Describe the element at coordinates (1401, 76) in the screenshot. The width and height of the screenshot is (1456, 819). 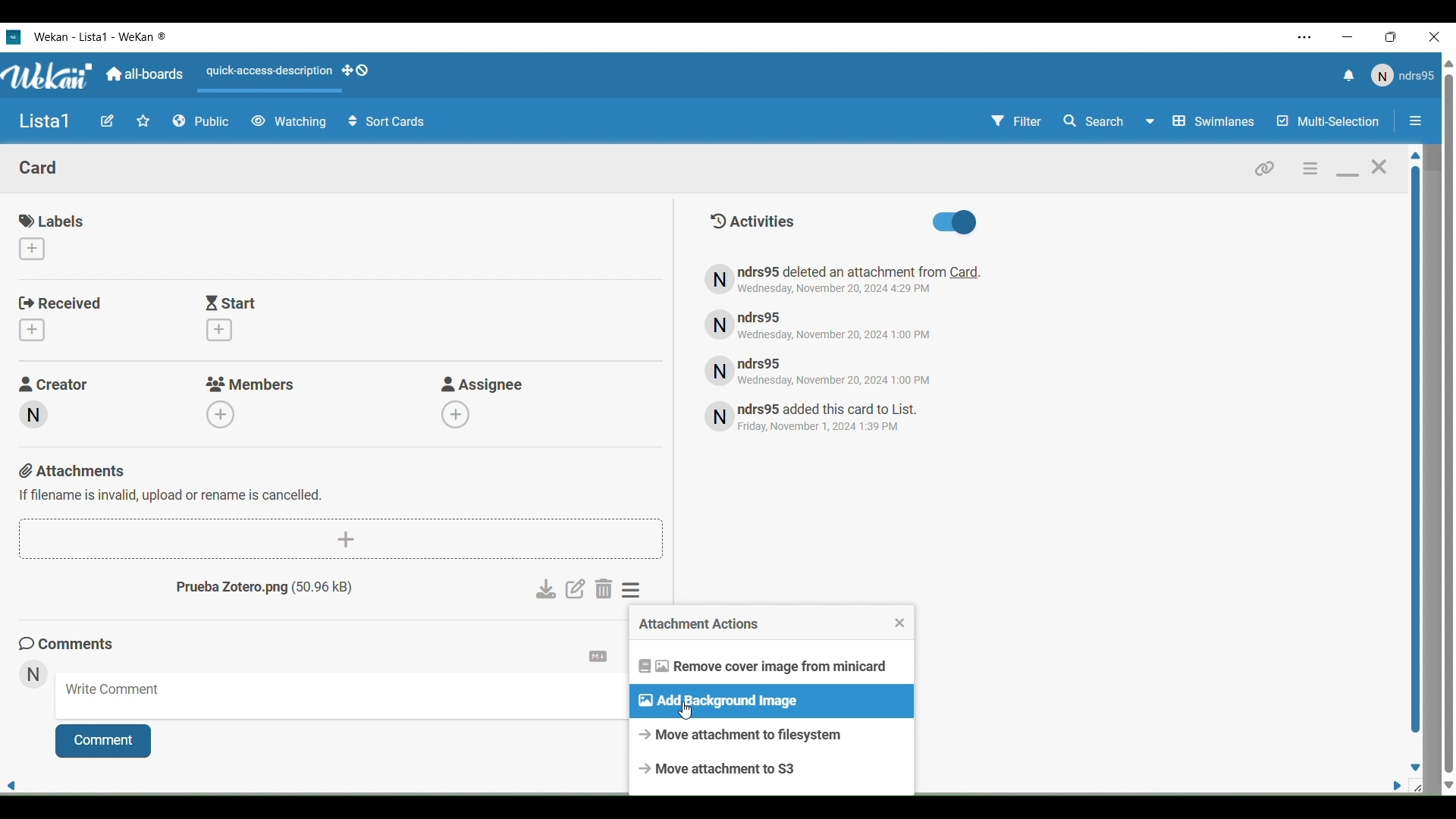
I see `User` at that location.